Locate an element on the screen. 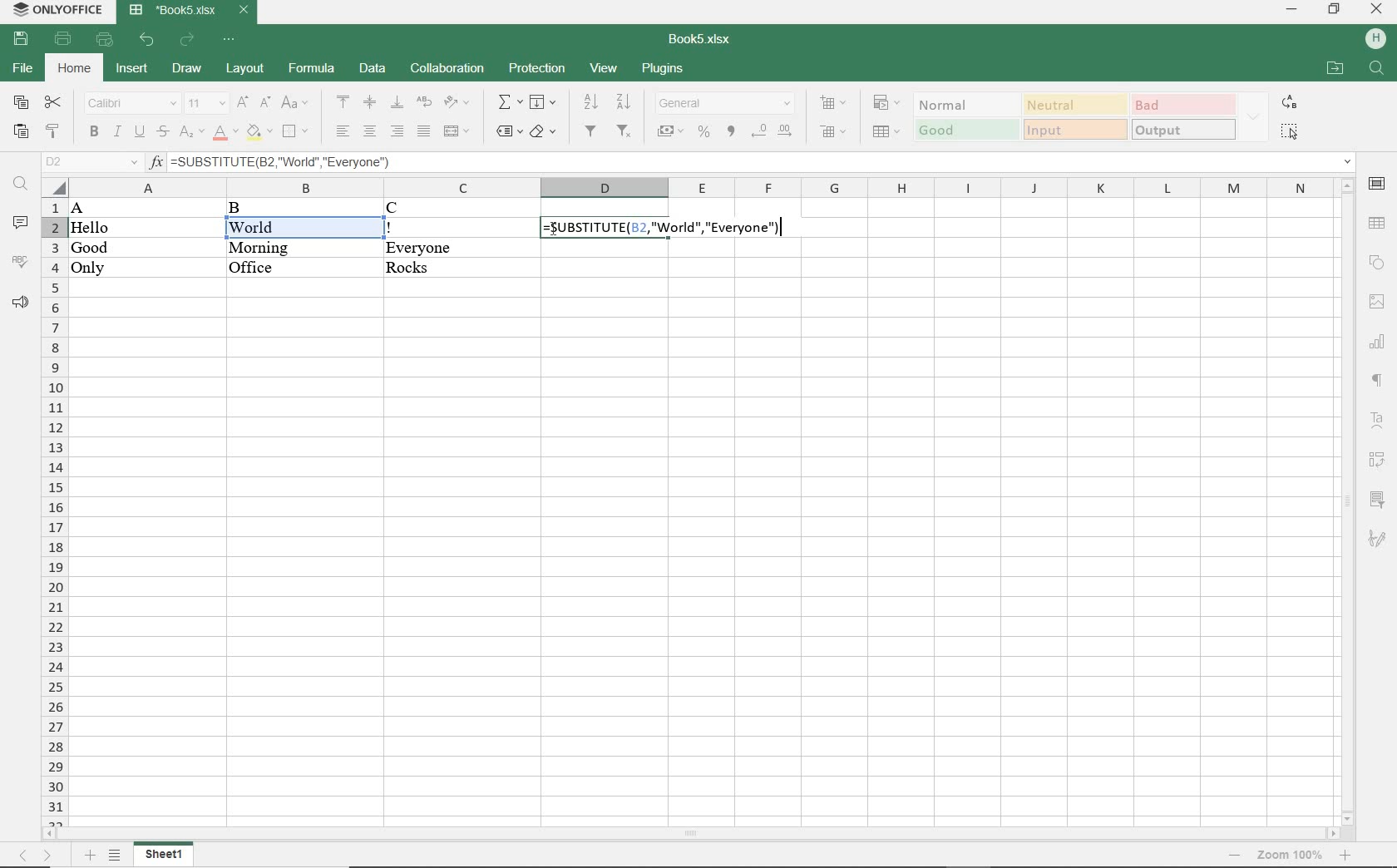 This screenshot has height=868, width=1397. name manager is located at coordinates (91, 161).